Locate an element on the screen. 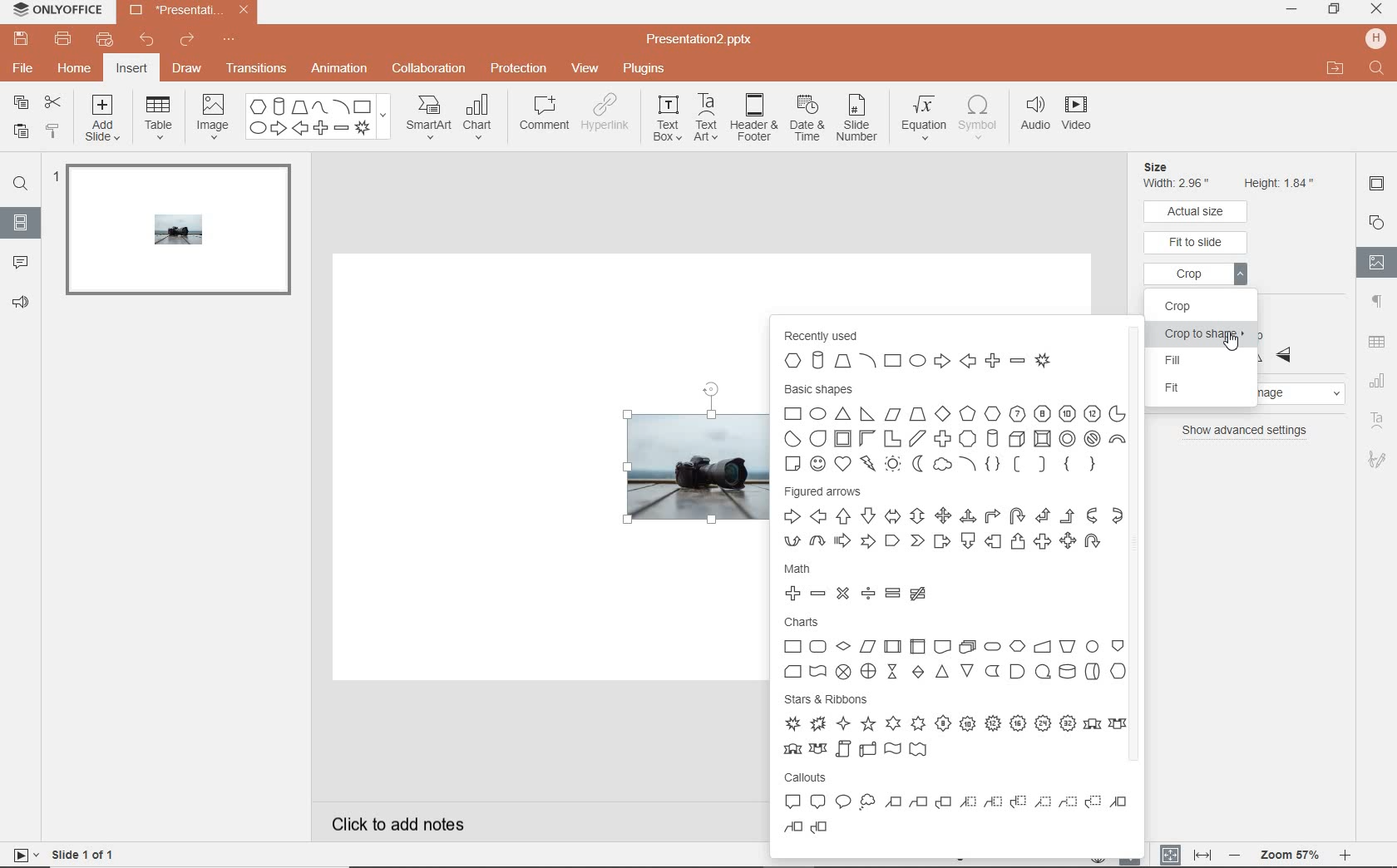 This screenshot has height=868, width=1397. insert is located at coordinates (133, 68).